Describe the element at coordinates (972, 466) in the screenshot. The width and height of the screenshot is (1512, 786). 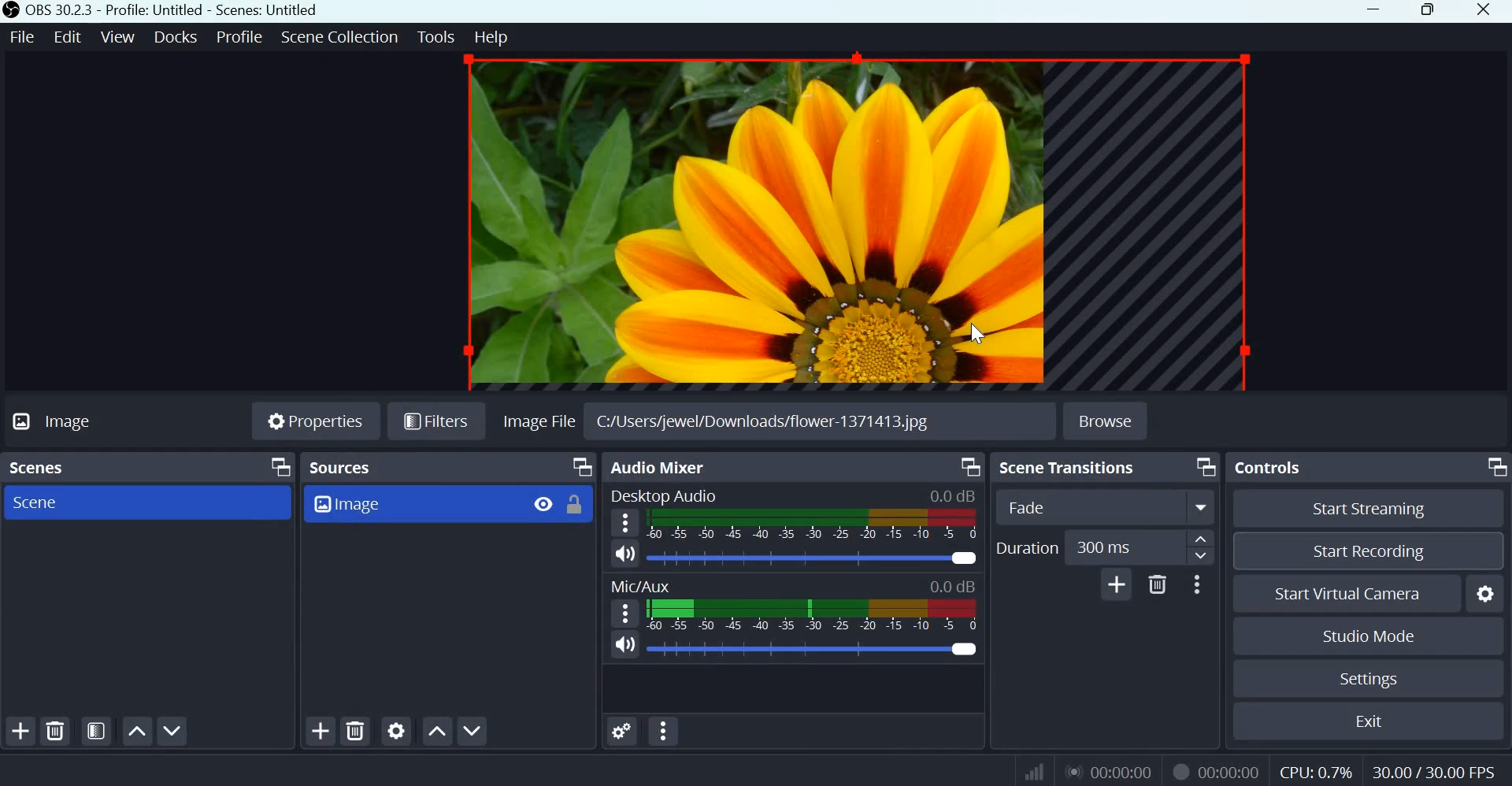
I see `Dock Options icon` at that location.